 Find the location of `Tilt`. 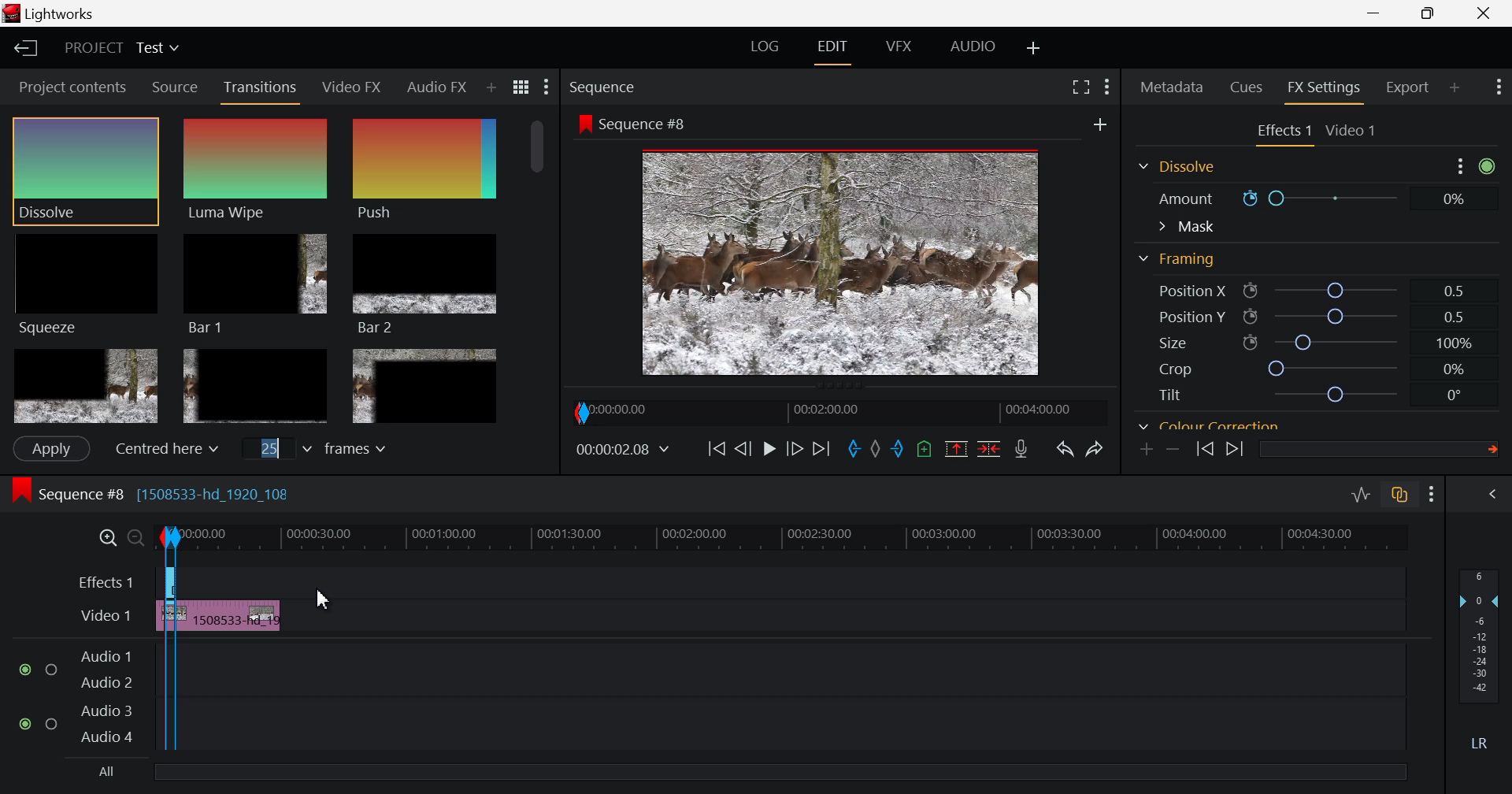

Tilt is located at coordinates (1303, 304).